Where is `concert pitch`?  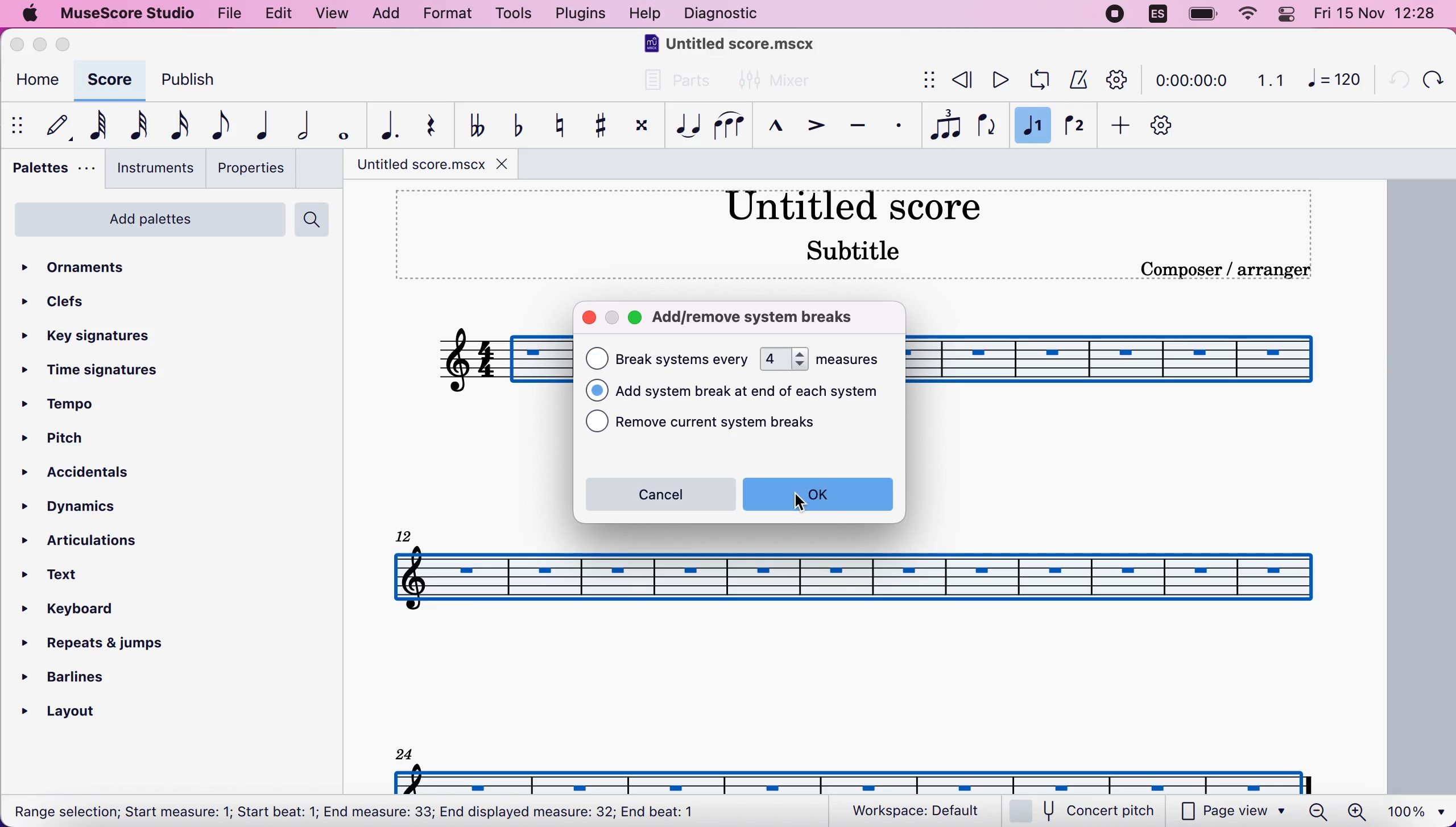
concert pitch is located at coordinates (1089, 812).